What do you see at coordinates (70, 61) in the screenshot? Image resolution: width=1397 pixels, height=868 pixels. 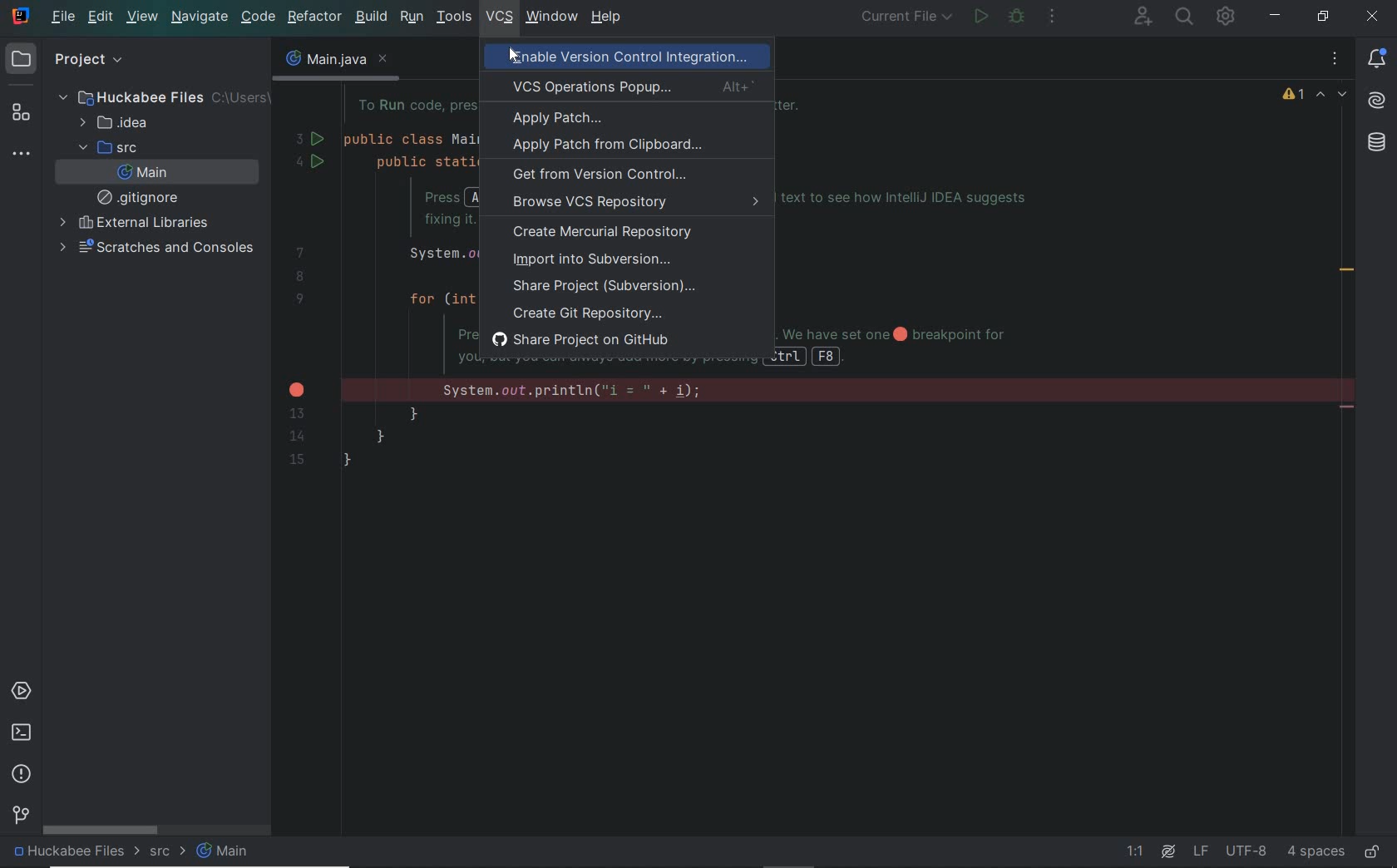 I see `project` at bounding box center [70, 61].